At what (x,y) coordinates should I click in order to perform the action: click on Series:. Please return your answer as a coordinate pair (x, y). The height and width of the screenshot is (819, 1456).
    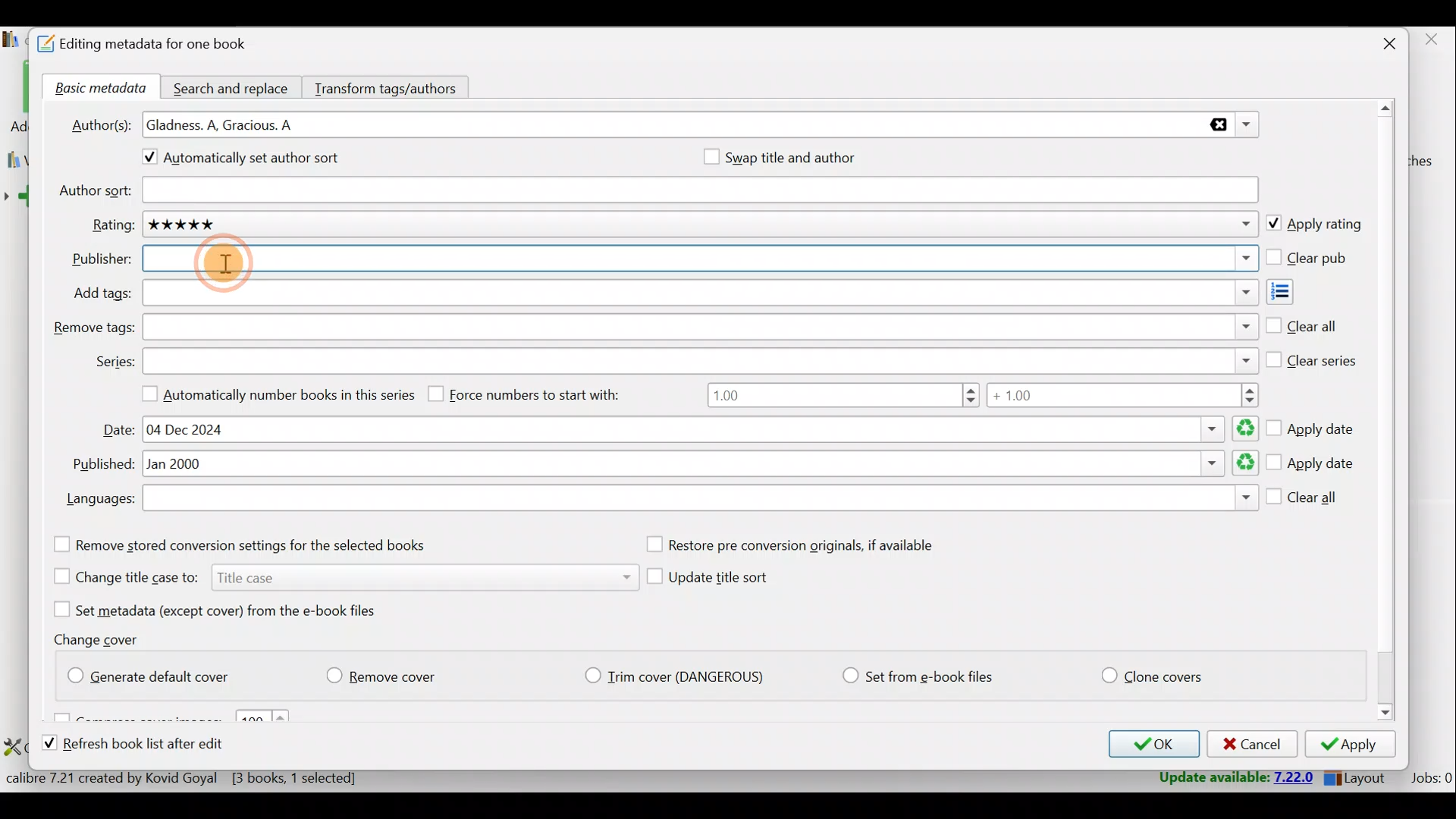
    Looking at the image, I should click on (114, 362).